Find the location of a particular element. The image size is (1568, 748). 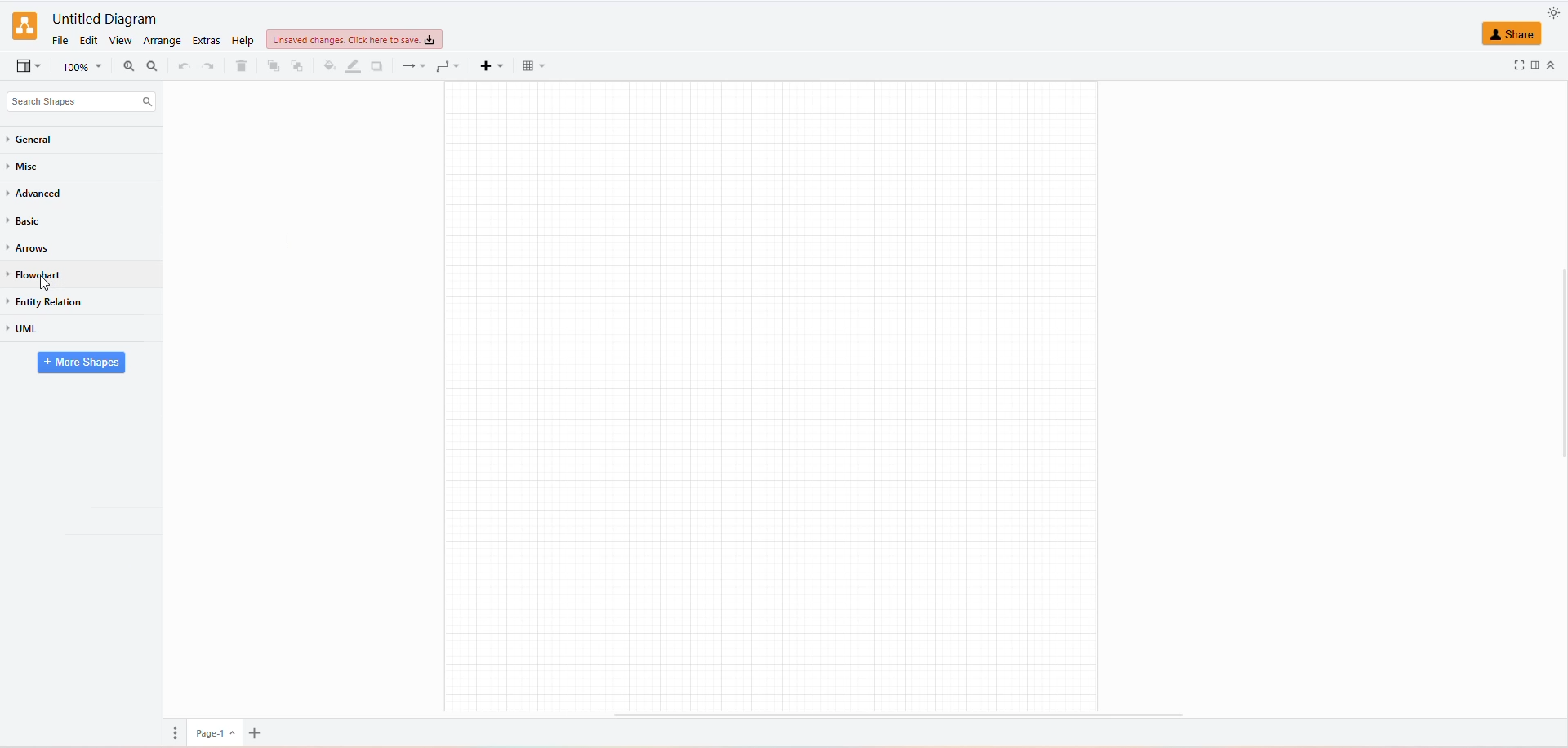

FILL COLOR is located at coordinates (327, 69).